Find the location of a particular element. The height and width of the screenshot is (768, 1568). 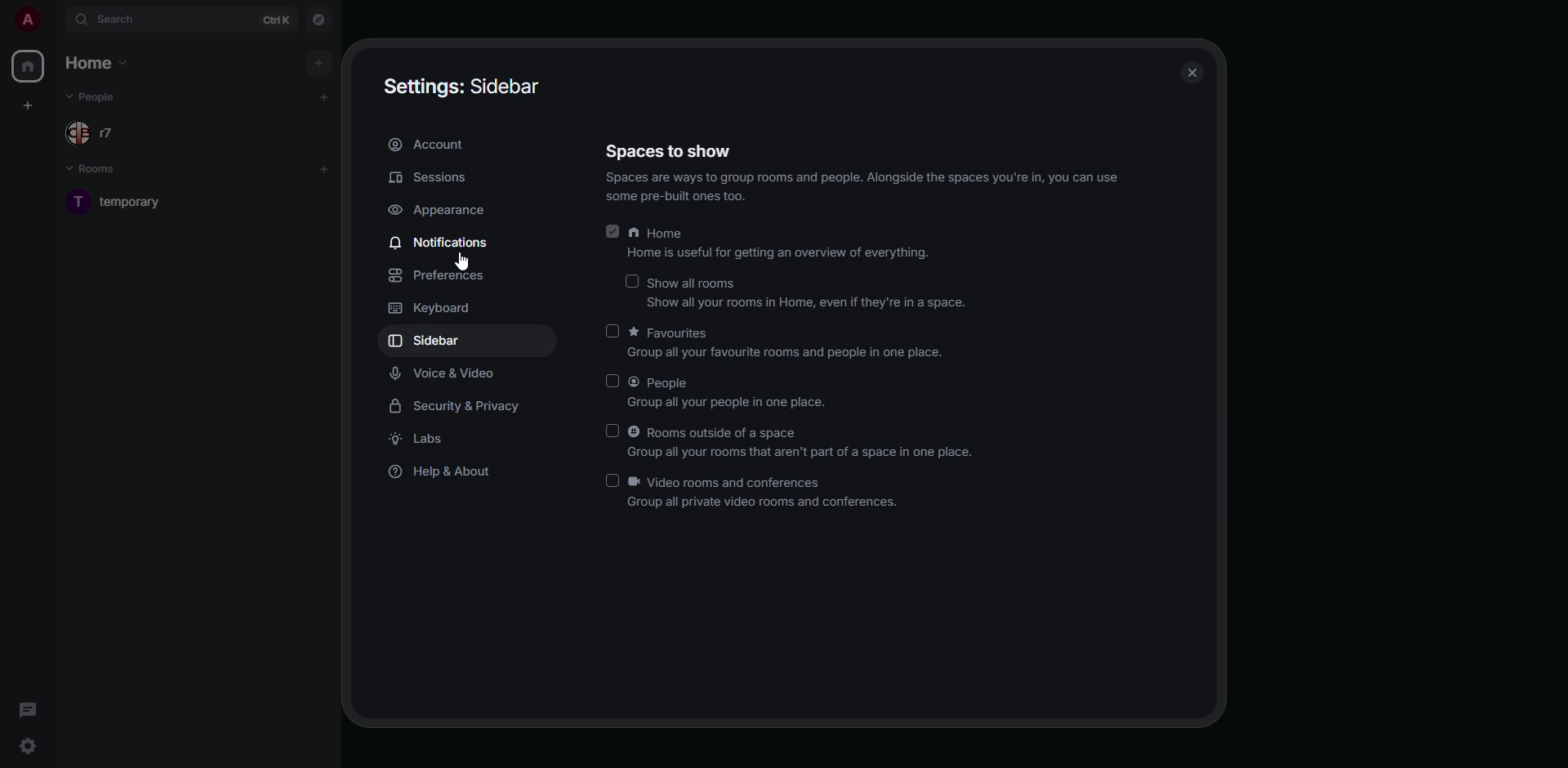

favorites is located at coordinates (784, 342).